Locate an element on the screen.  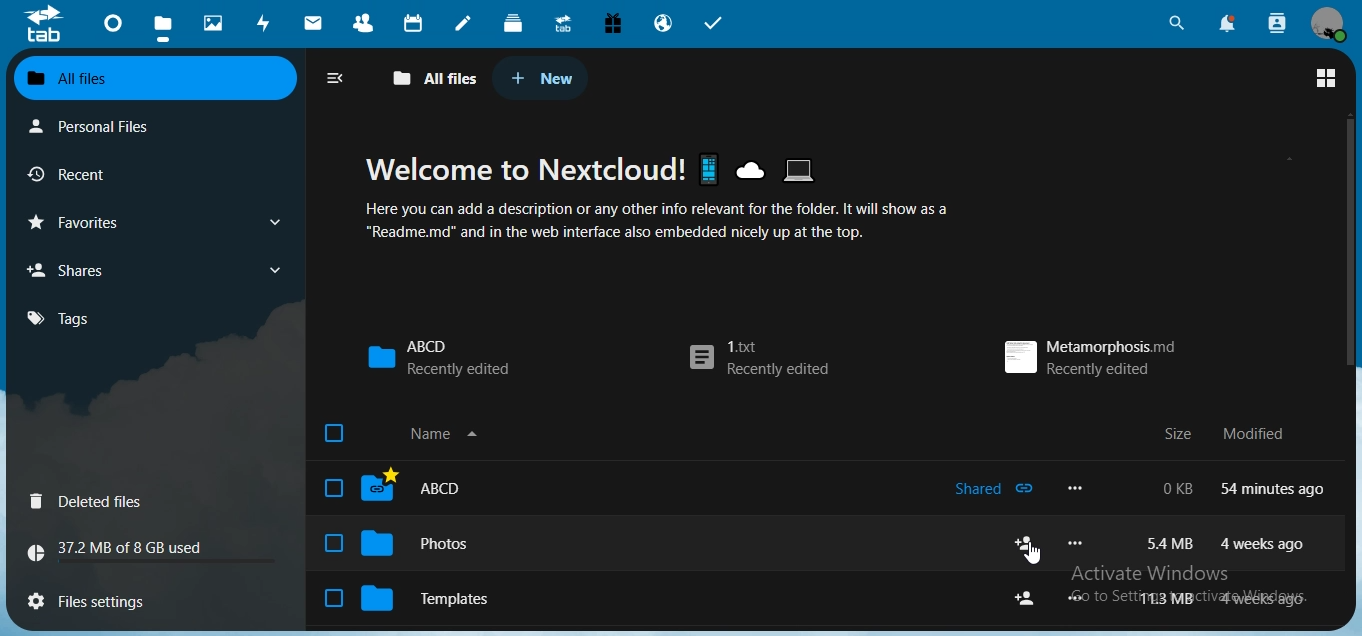
ABCD is located at coordinates (435, 489).